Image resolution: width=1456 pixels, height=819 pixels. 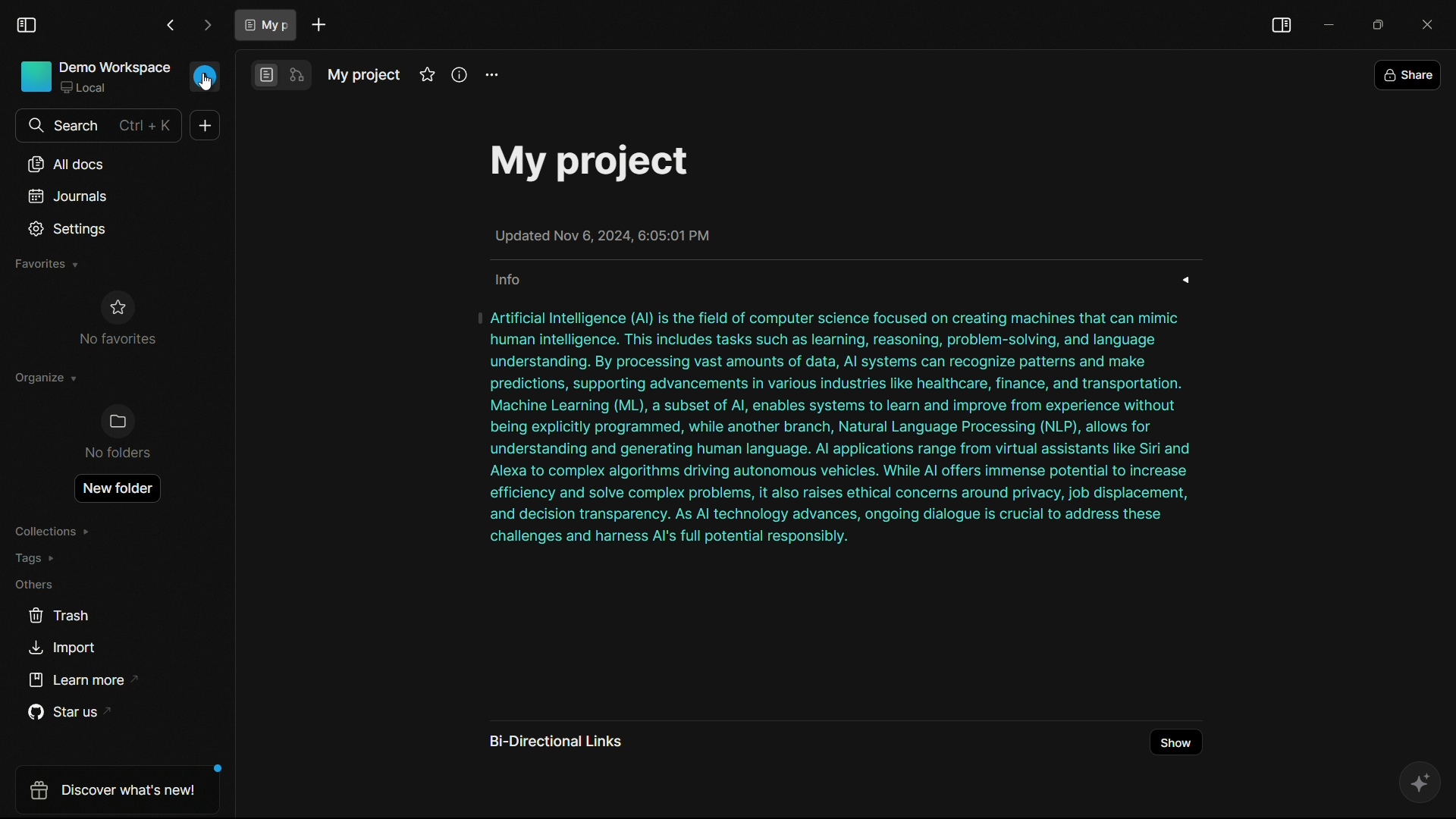 What do you see at coordinates (494, 76) in the screenshot?
I see `settings` at bounding box center [494, 76].